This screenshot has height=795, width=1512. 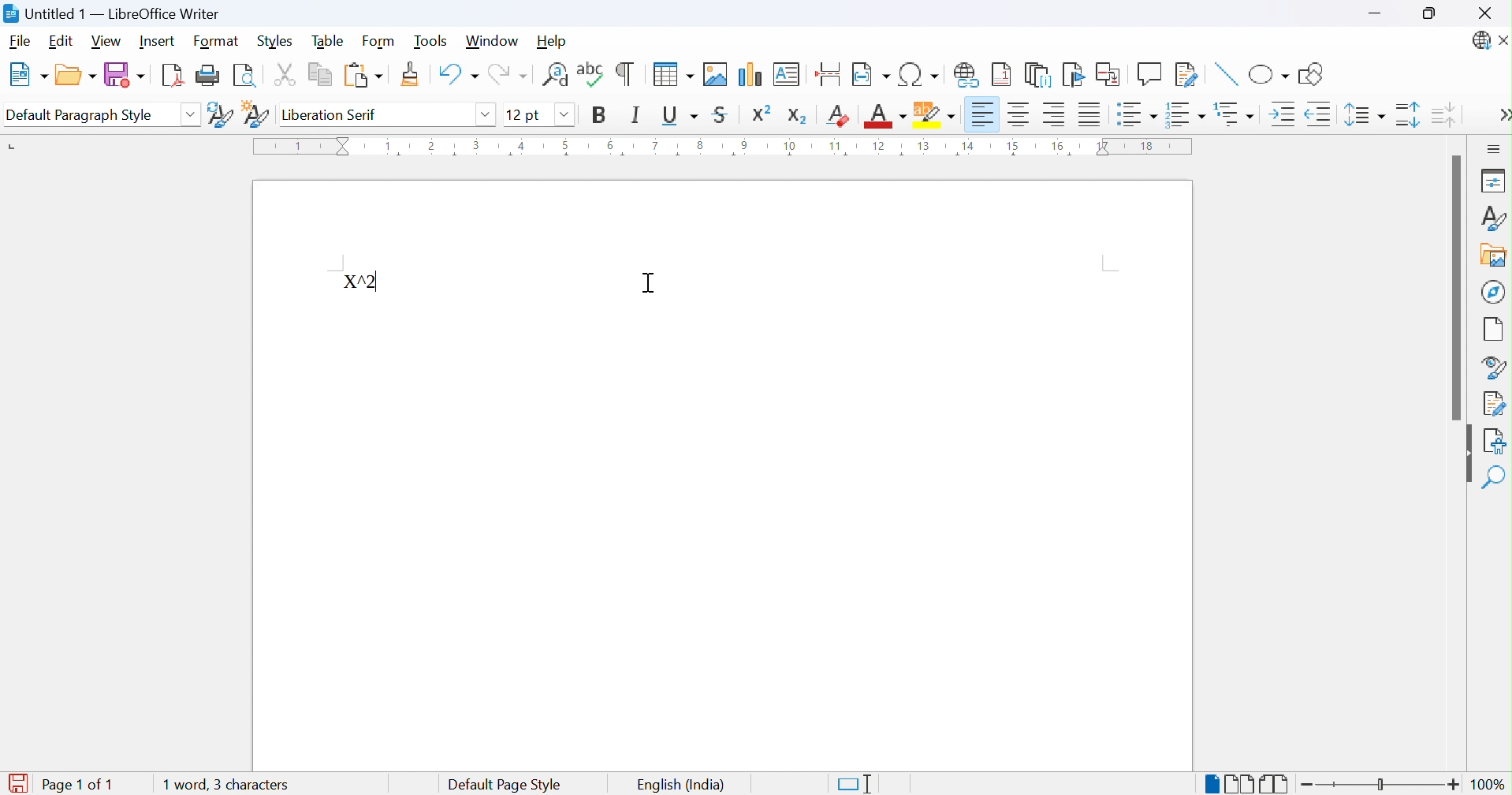 I want to click on Table, so click(x=326, y=40).